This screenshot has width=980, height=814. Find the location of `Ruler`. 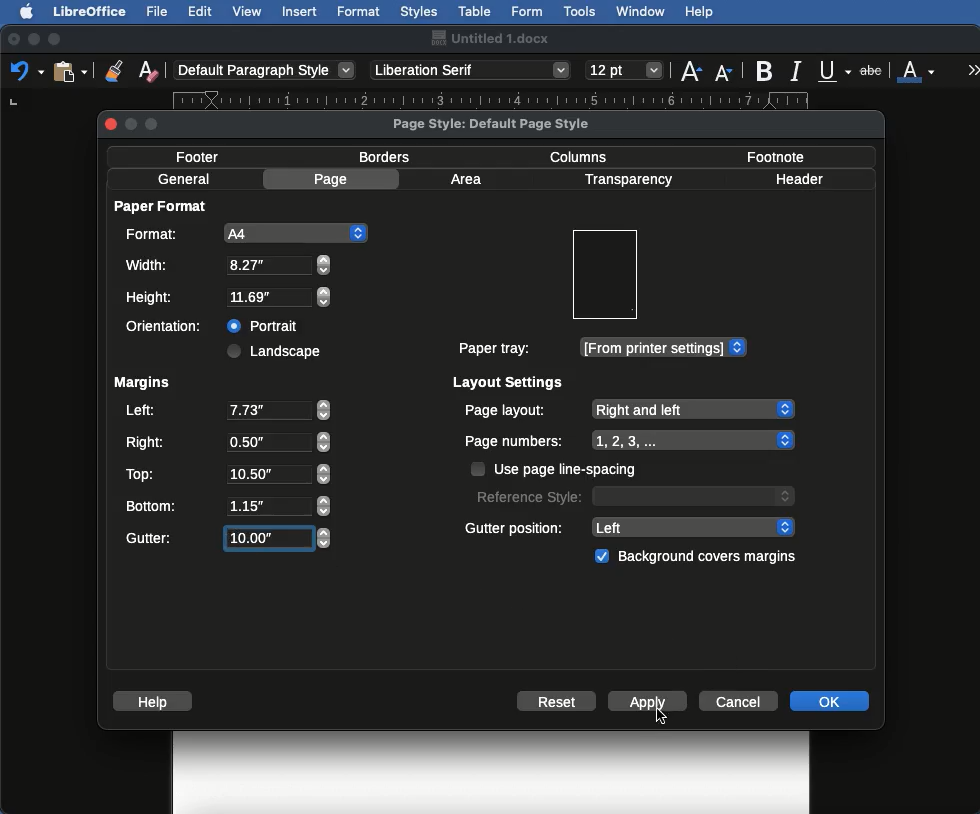

Ruler is located at coordinates (509, 100).